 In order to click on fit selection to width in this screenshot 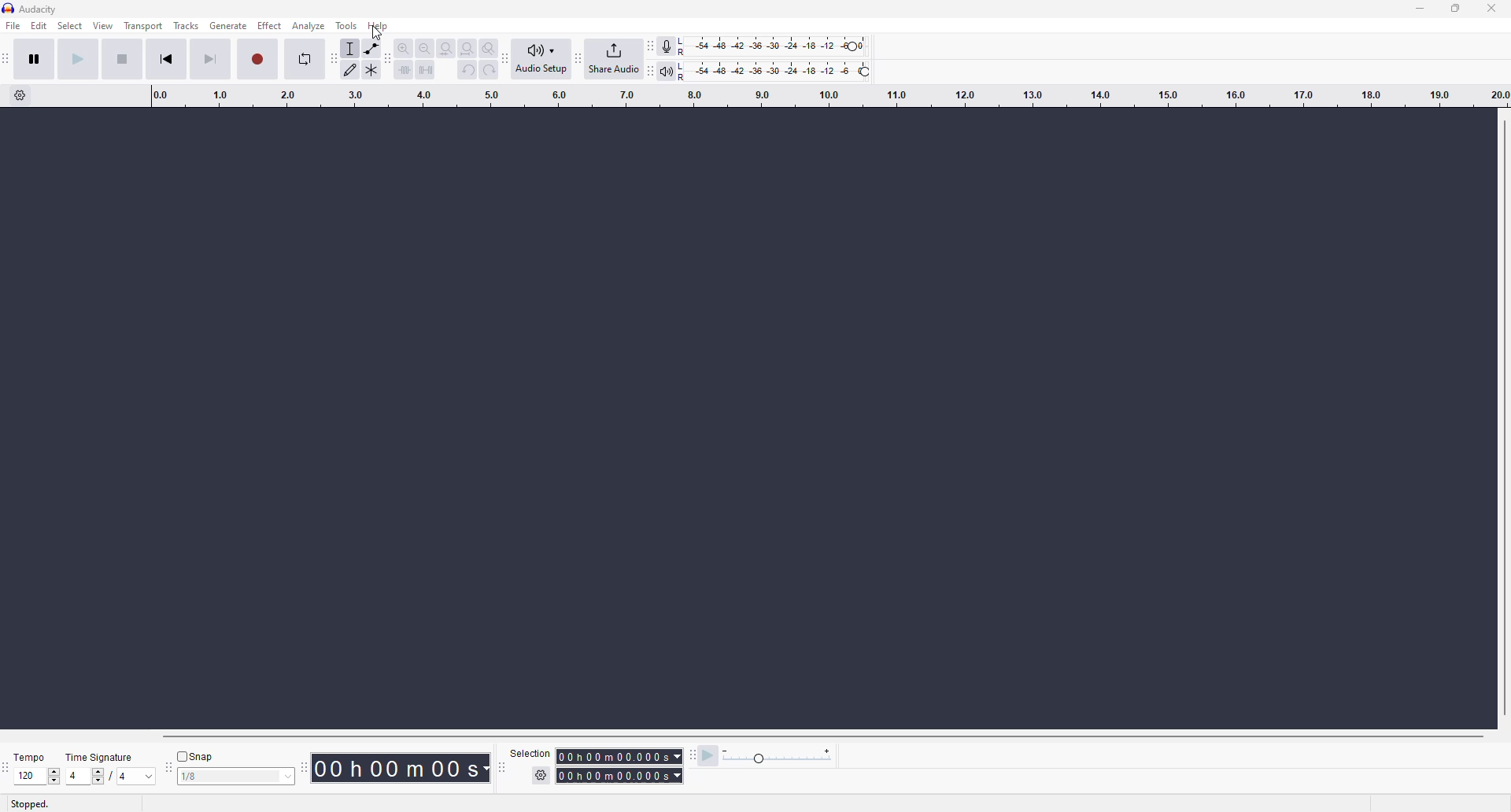, I will do `click(445, 47)`.